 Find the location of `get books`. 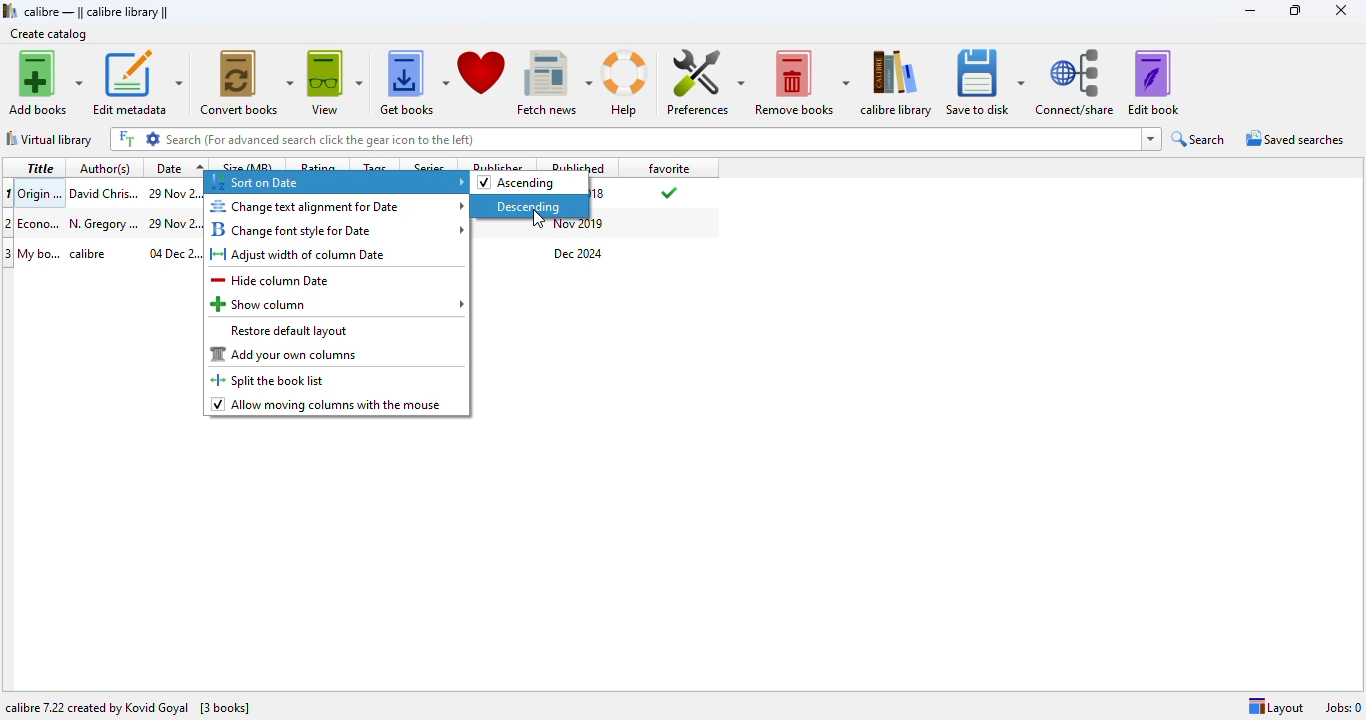

get books is located at coordinates (413, 83).